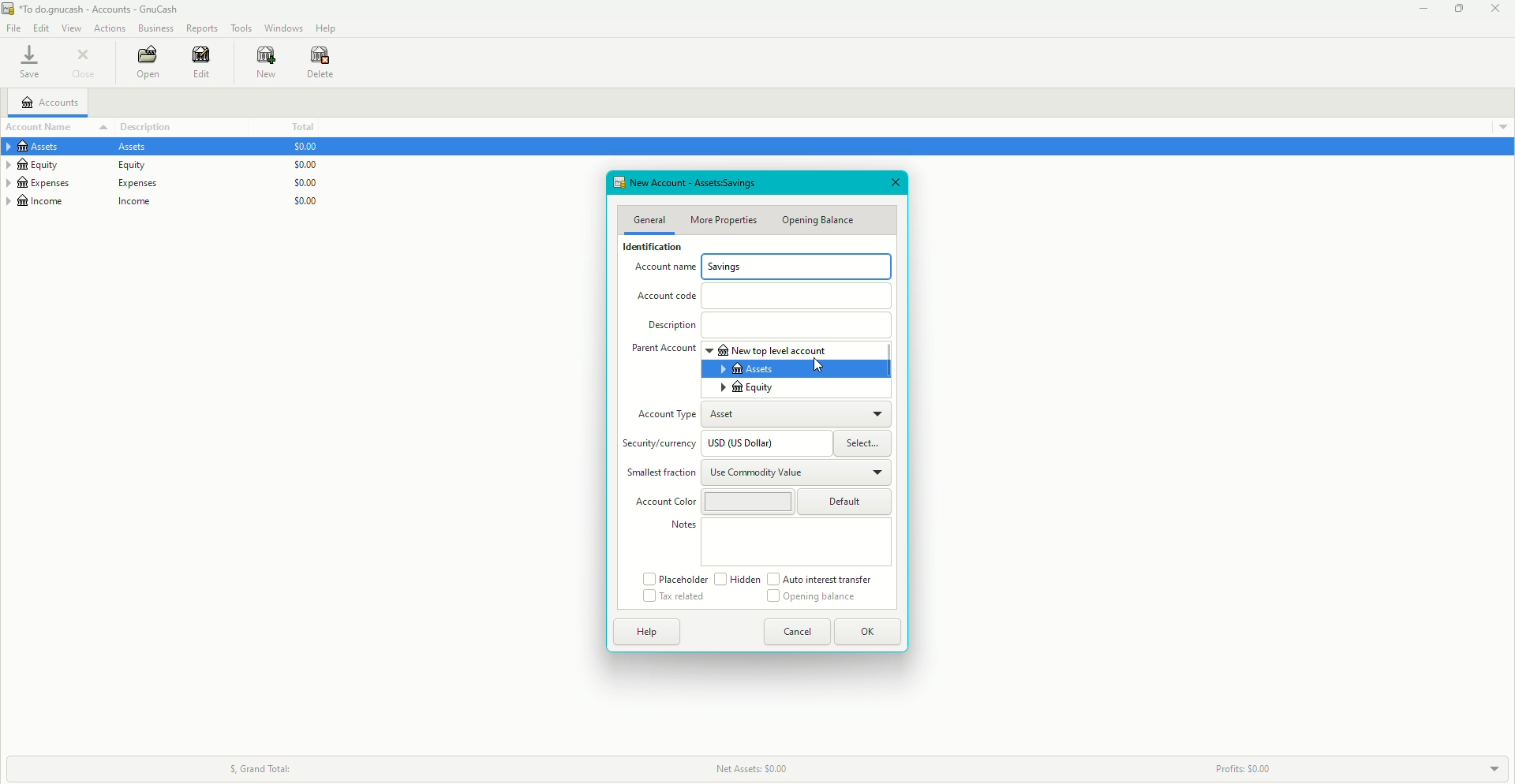 This screenshot has width=1515, height=784. Describe the element at coordinates (300, 178) in the screenshot. I see `$0` at that location.